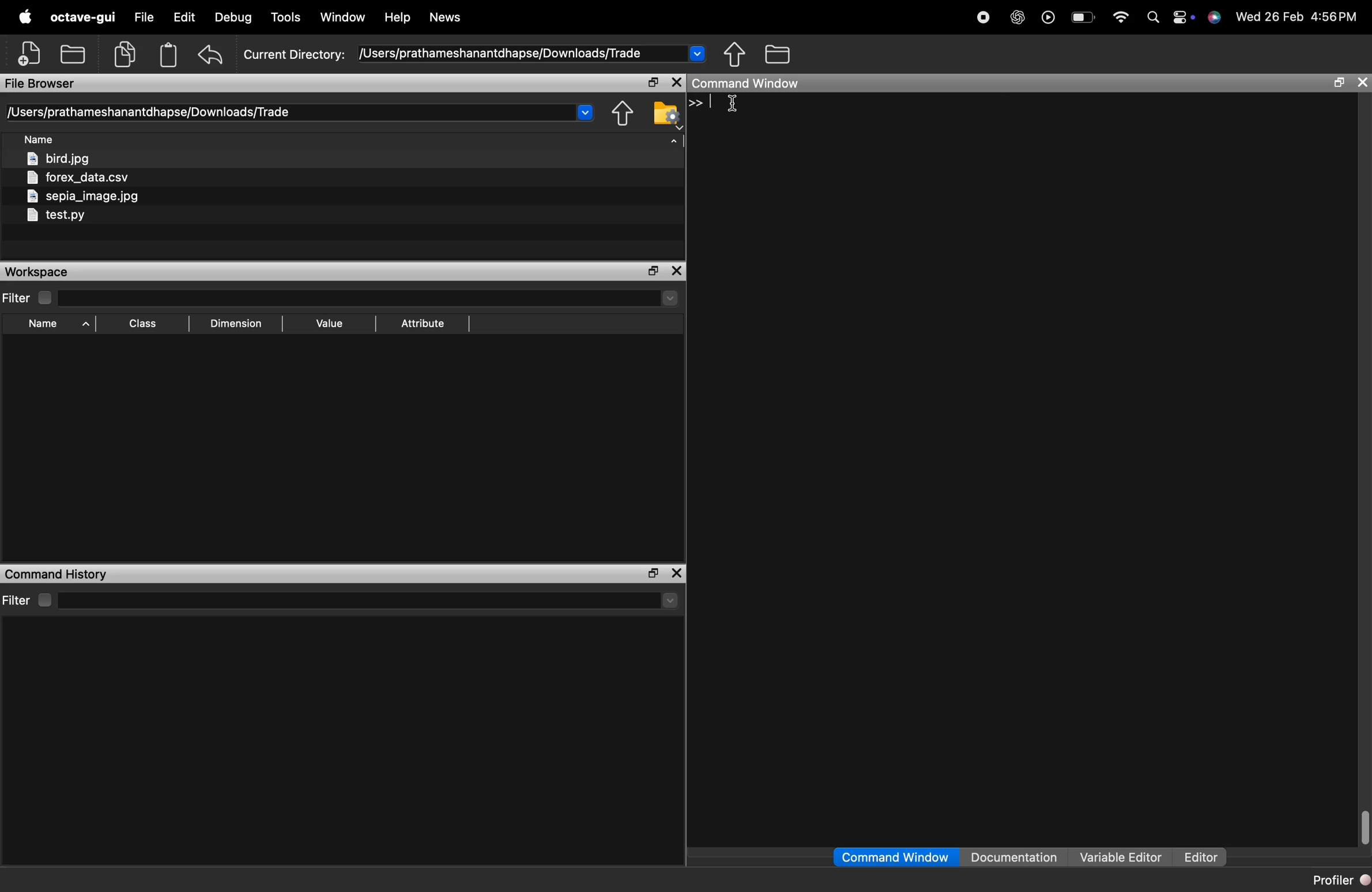 This screenshot has height=892, width=1372. I want to click on Command History, so click(59, 573).